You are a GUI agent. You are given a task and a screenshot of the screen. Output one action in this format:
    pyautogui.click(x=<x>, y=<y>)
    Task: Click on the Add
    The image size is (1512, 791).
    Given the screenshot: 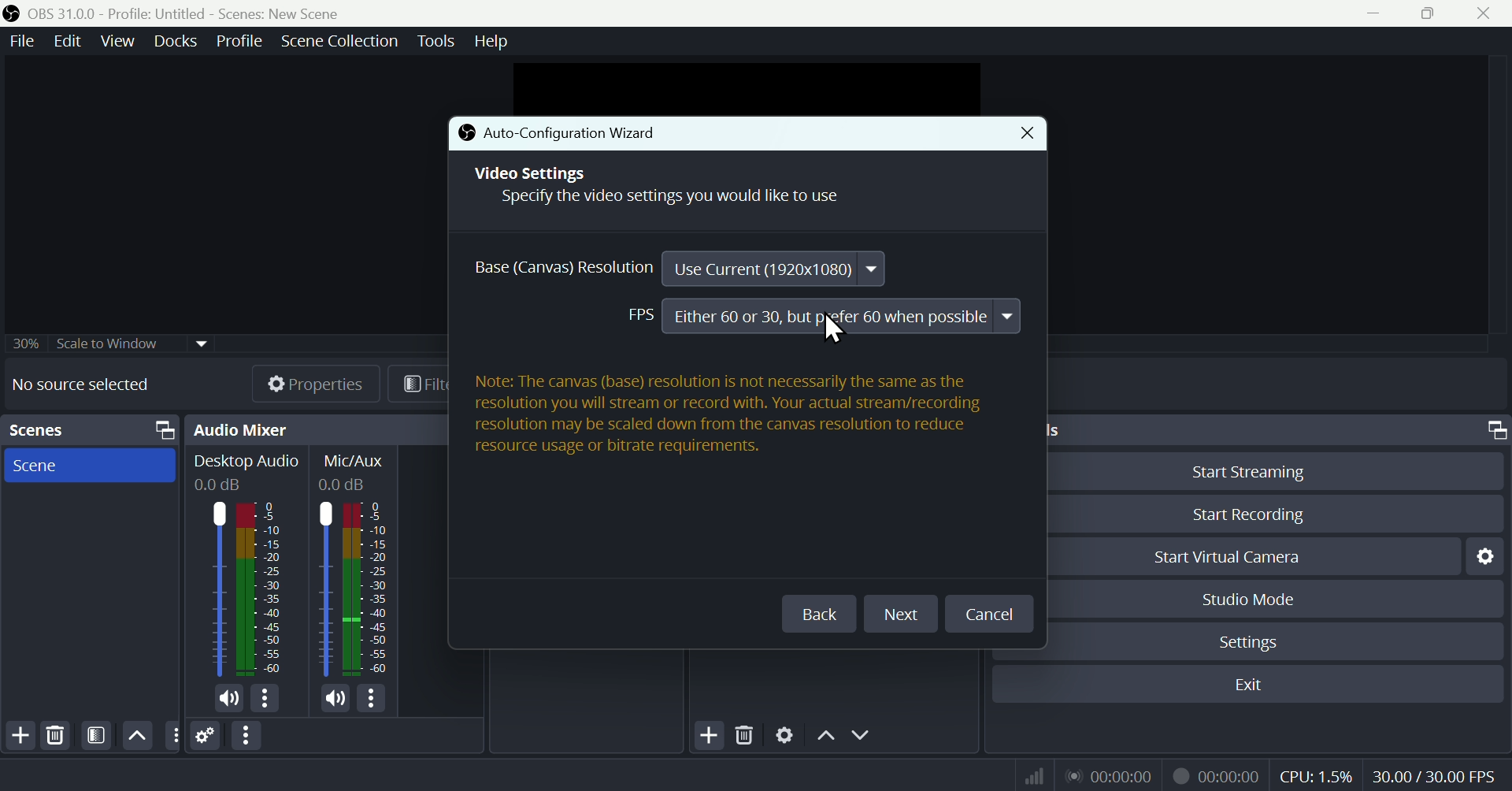 What is the action you would take?
    pyautogui.click(x=707, y=733)
    